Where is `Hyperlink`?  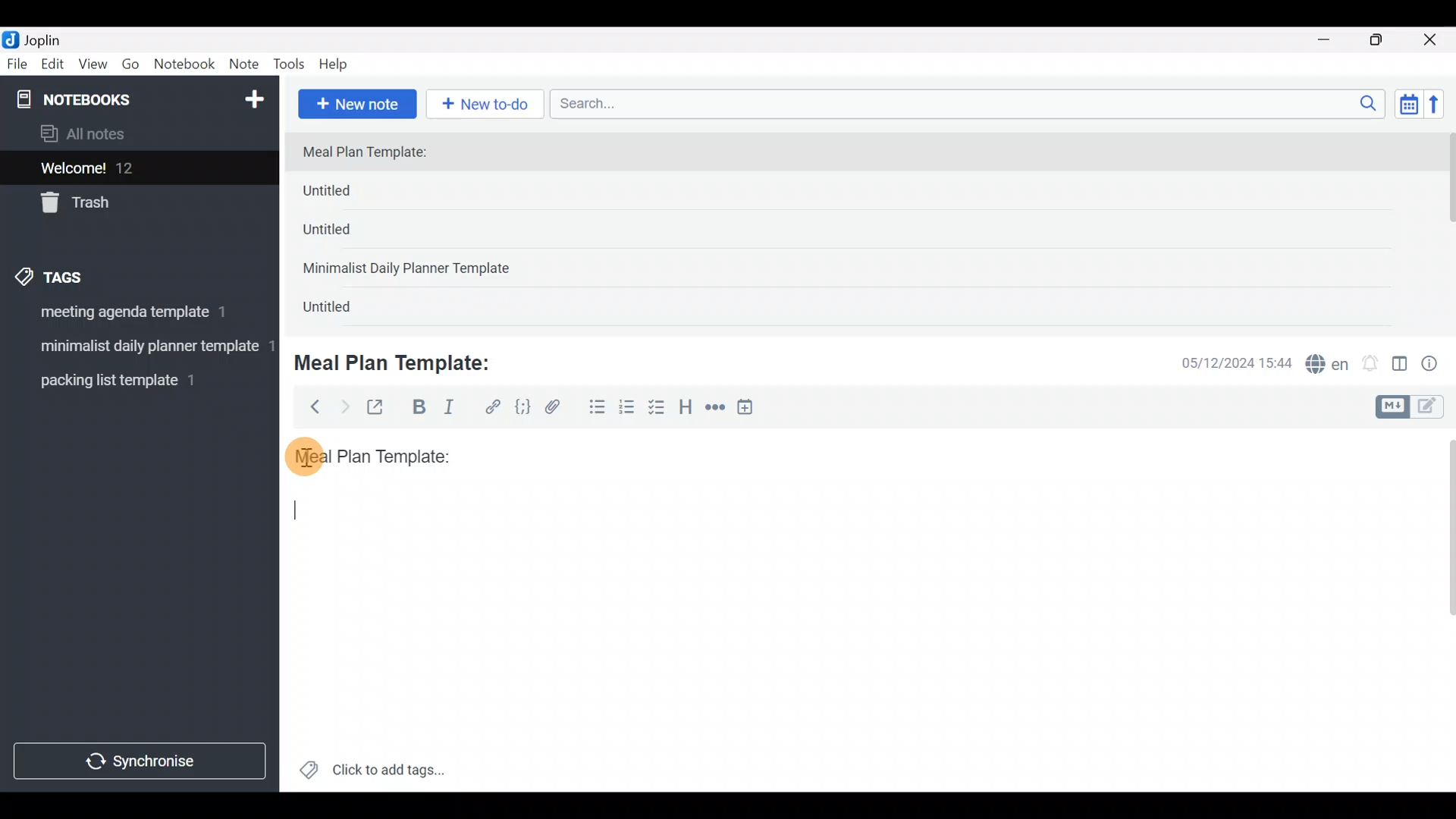
Hyperlink is located at coordinates (493, 407).